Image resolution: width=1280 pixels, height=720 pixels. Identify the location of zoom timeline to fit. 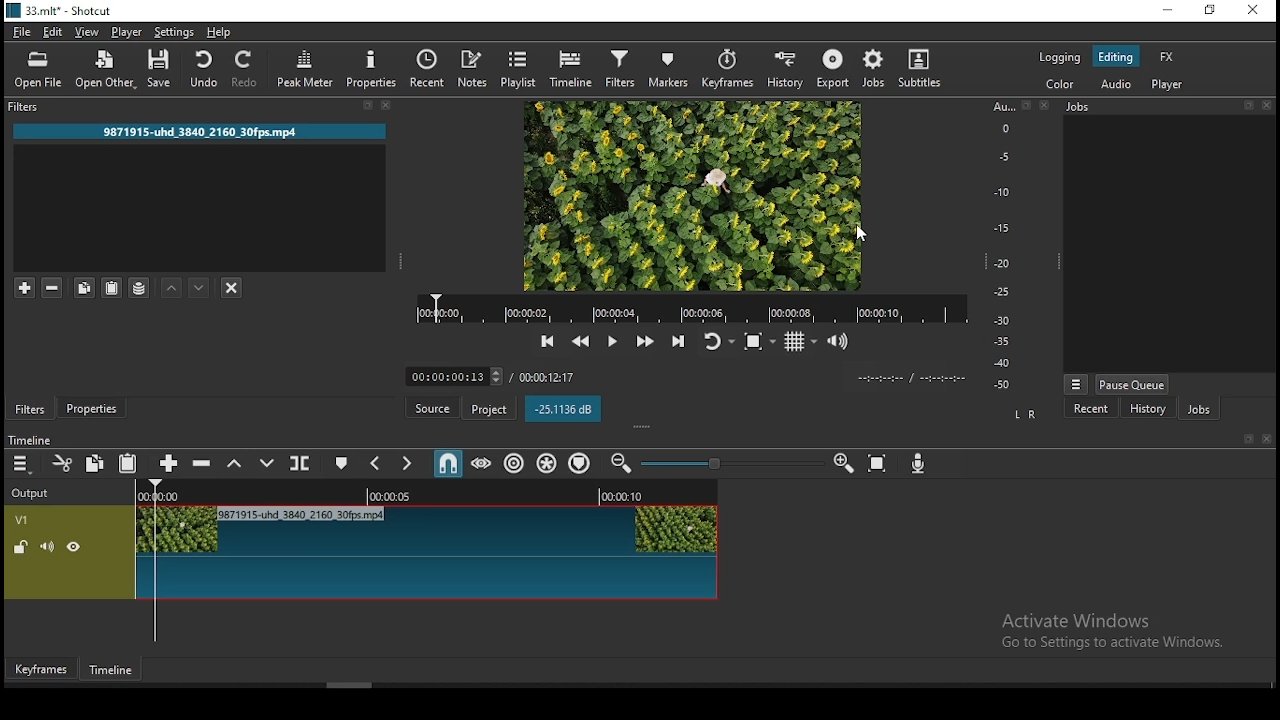
(879, 463).